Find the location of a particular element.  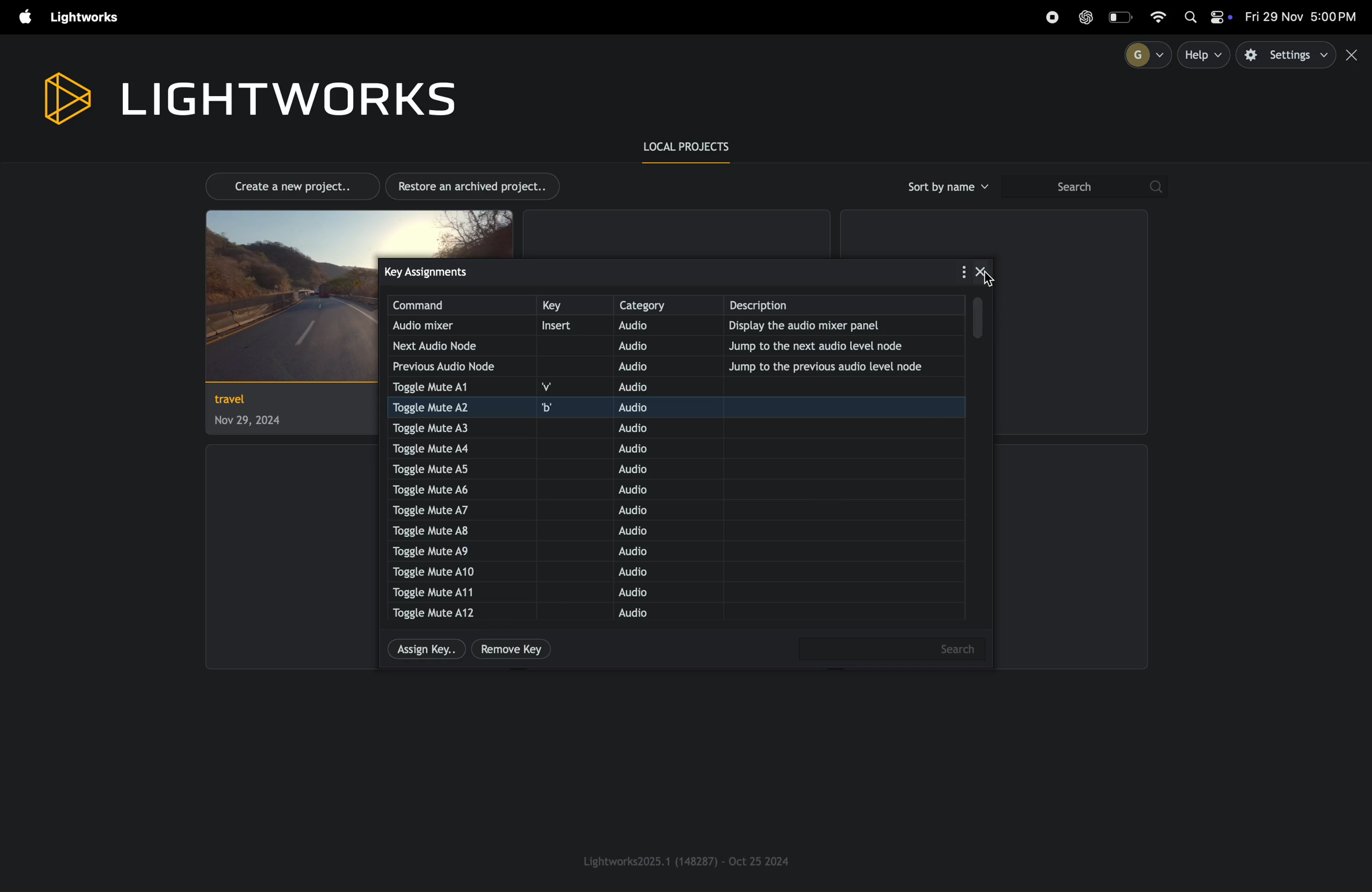

light works is located at coordinates (88, 18).